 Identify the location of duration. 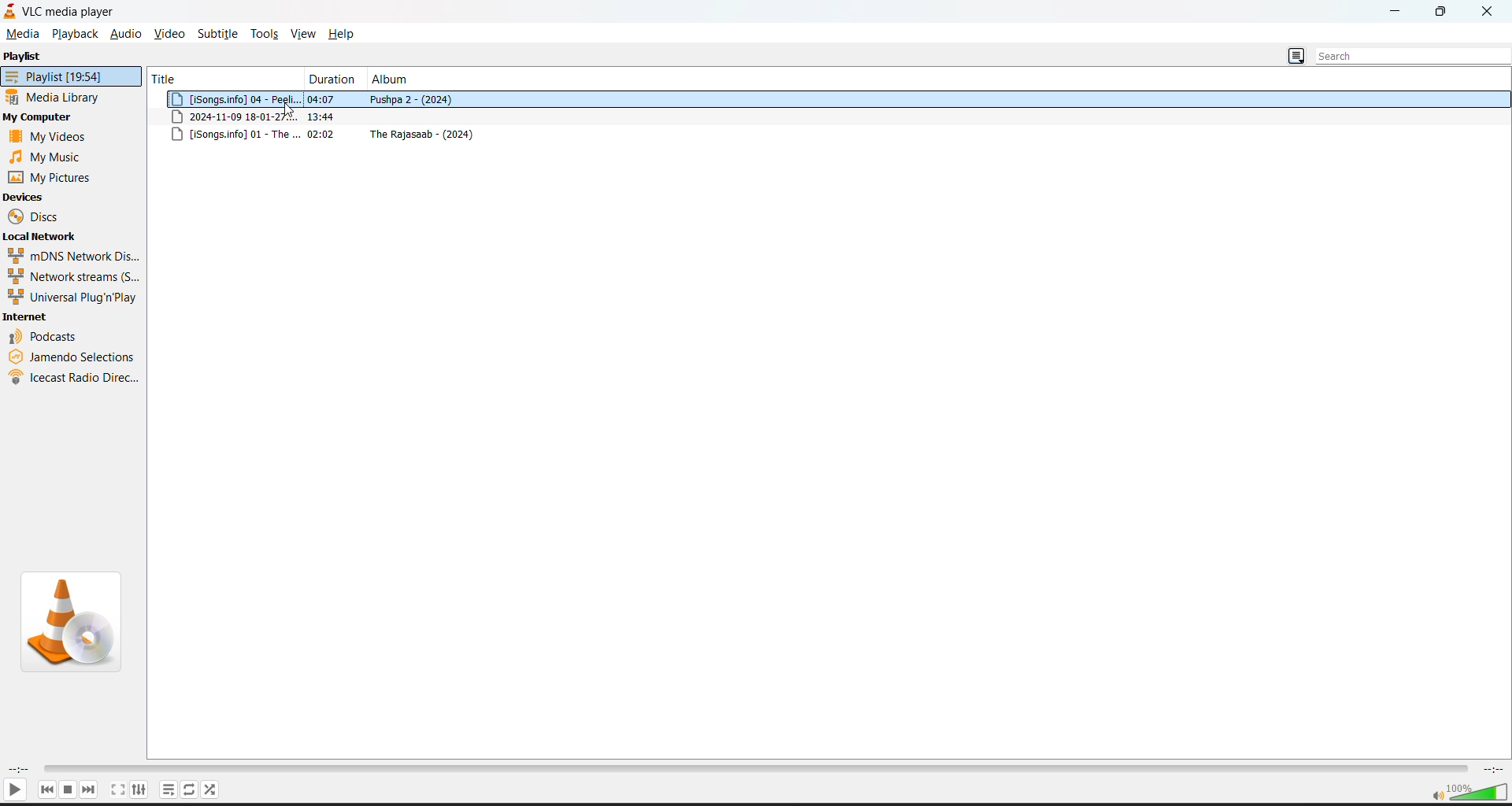
(331, 78).